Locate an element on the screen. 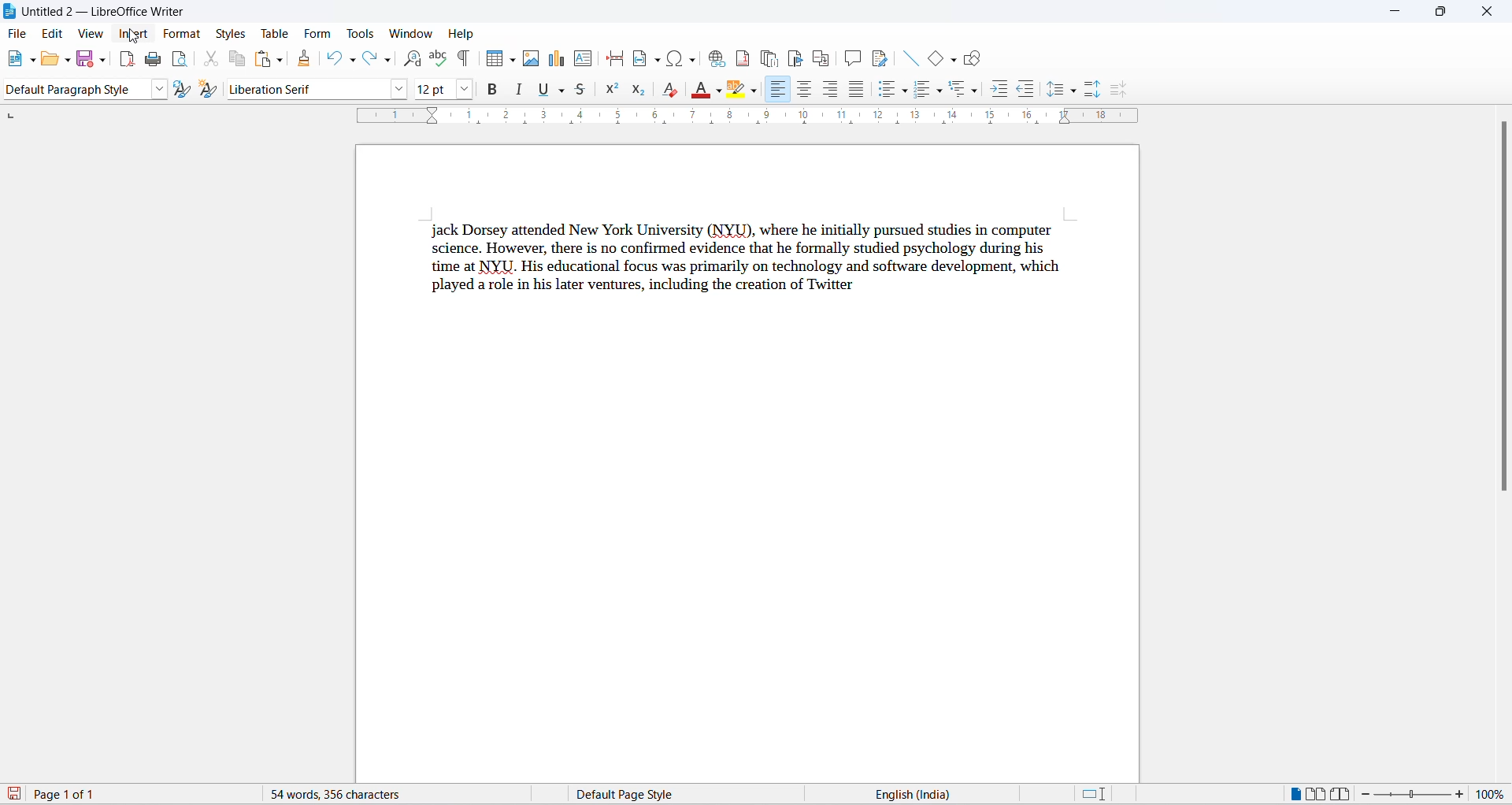  basic shapes is located at coordinates (936, 61).